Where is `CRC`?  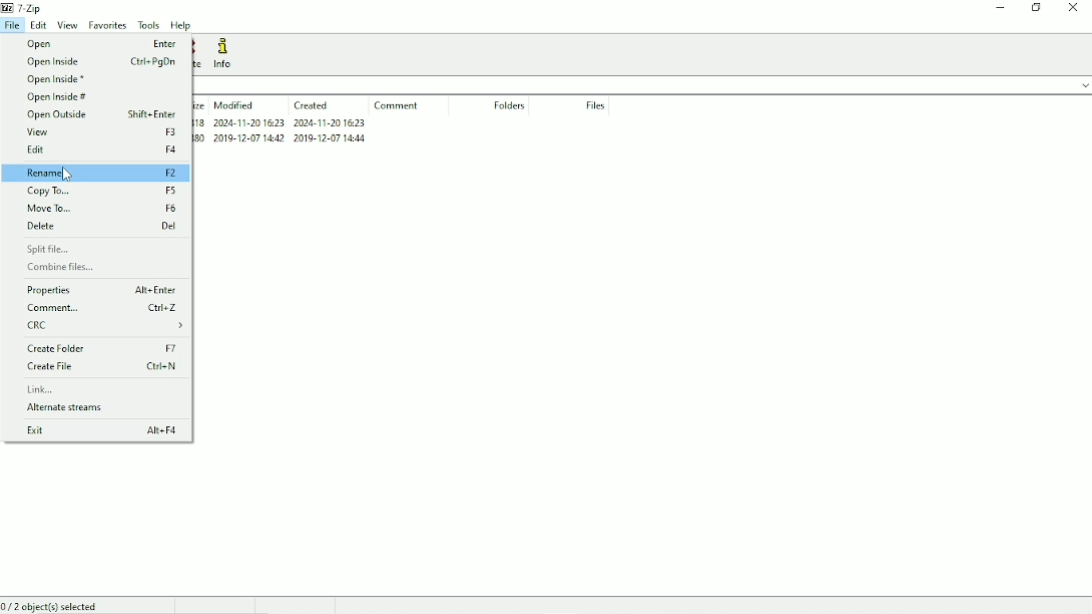
CRC is located at coordinates (105, 325).